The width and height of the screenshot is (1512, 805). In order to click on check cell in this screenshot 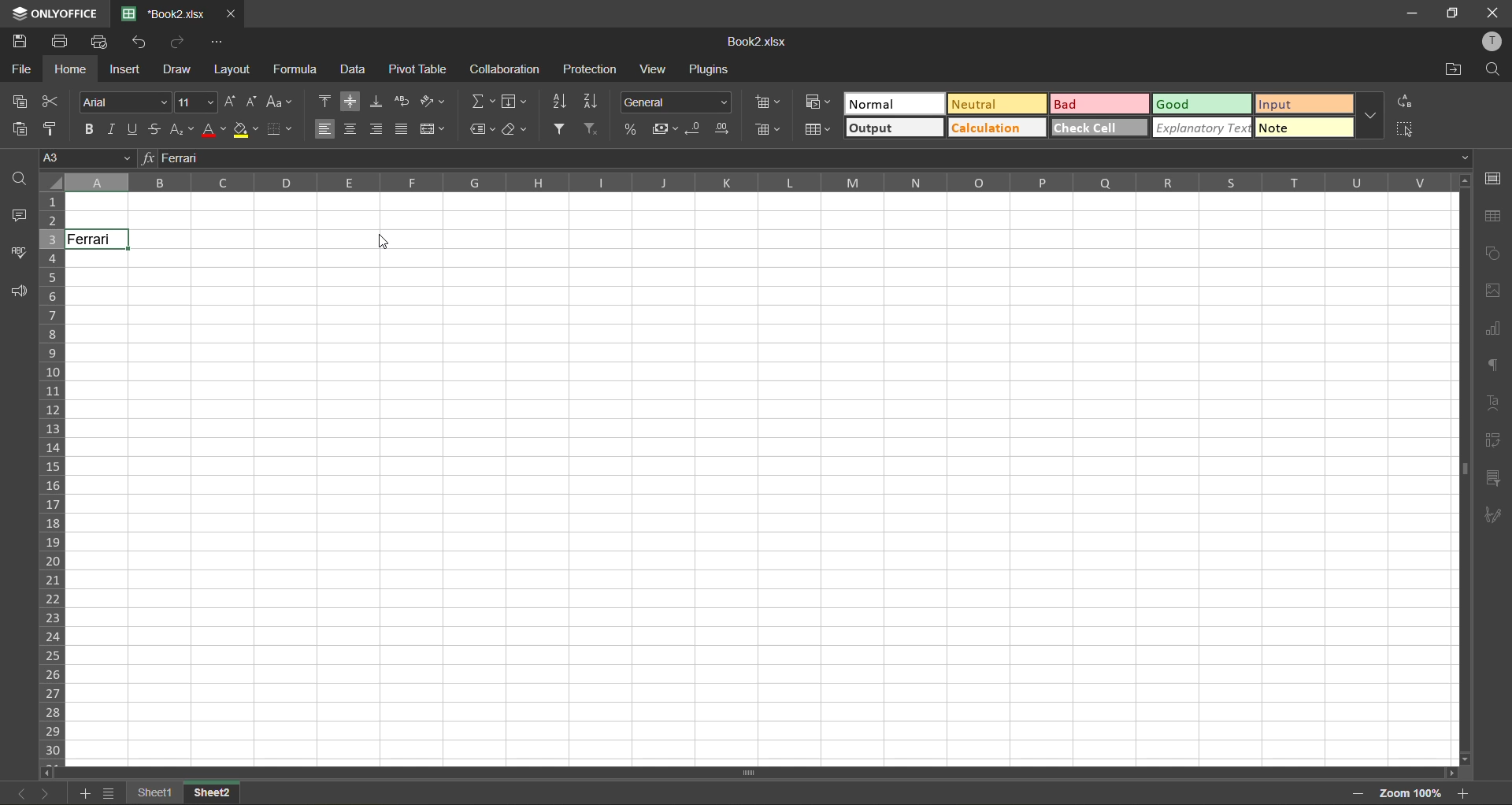, I will do `click(1100, 129)`.